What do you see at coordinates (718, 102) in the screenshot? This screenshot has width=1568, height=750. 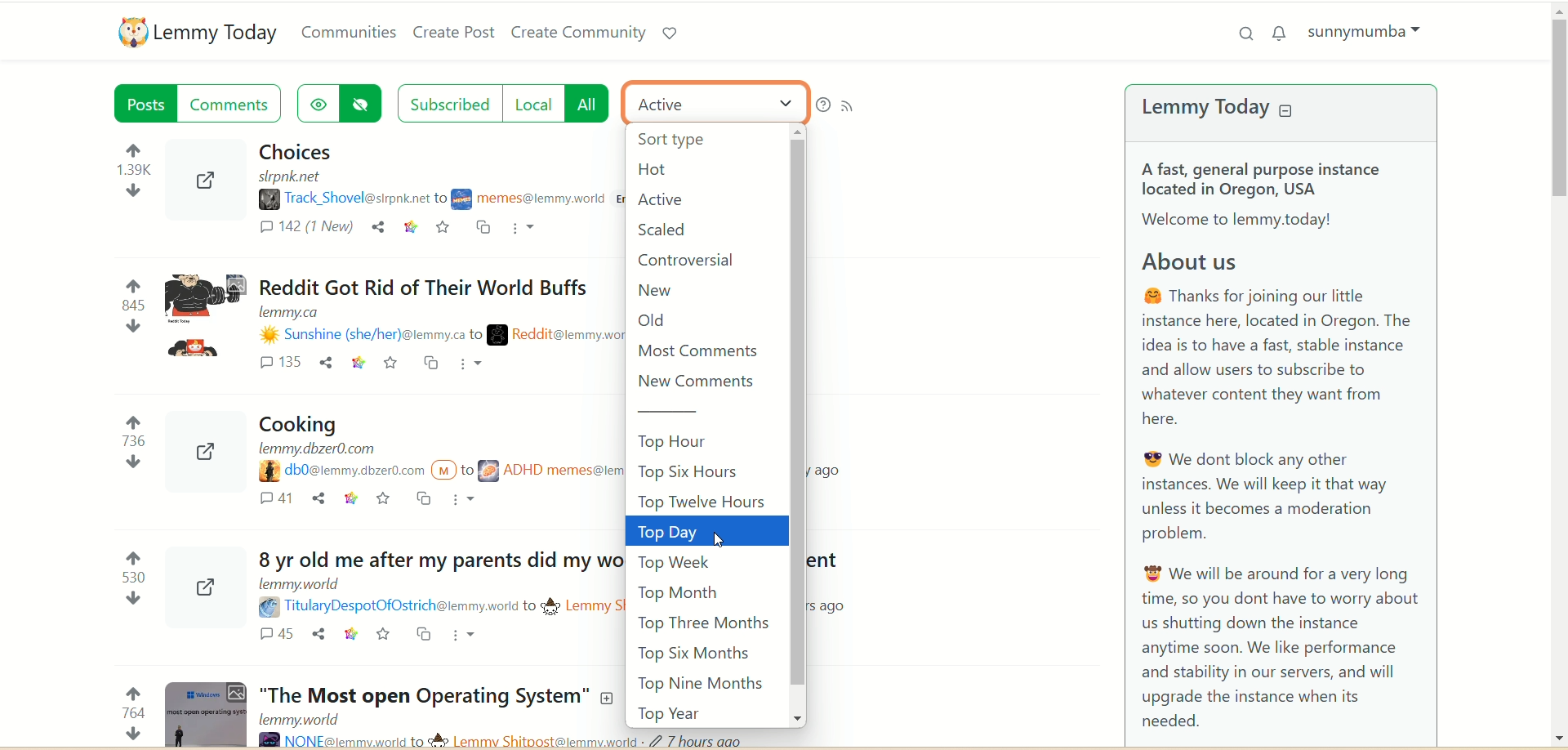 I see `Active(sort by)` at bounding box center [718, 102].